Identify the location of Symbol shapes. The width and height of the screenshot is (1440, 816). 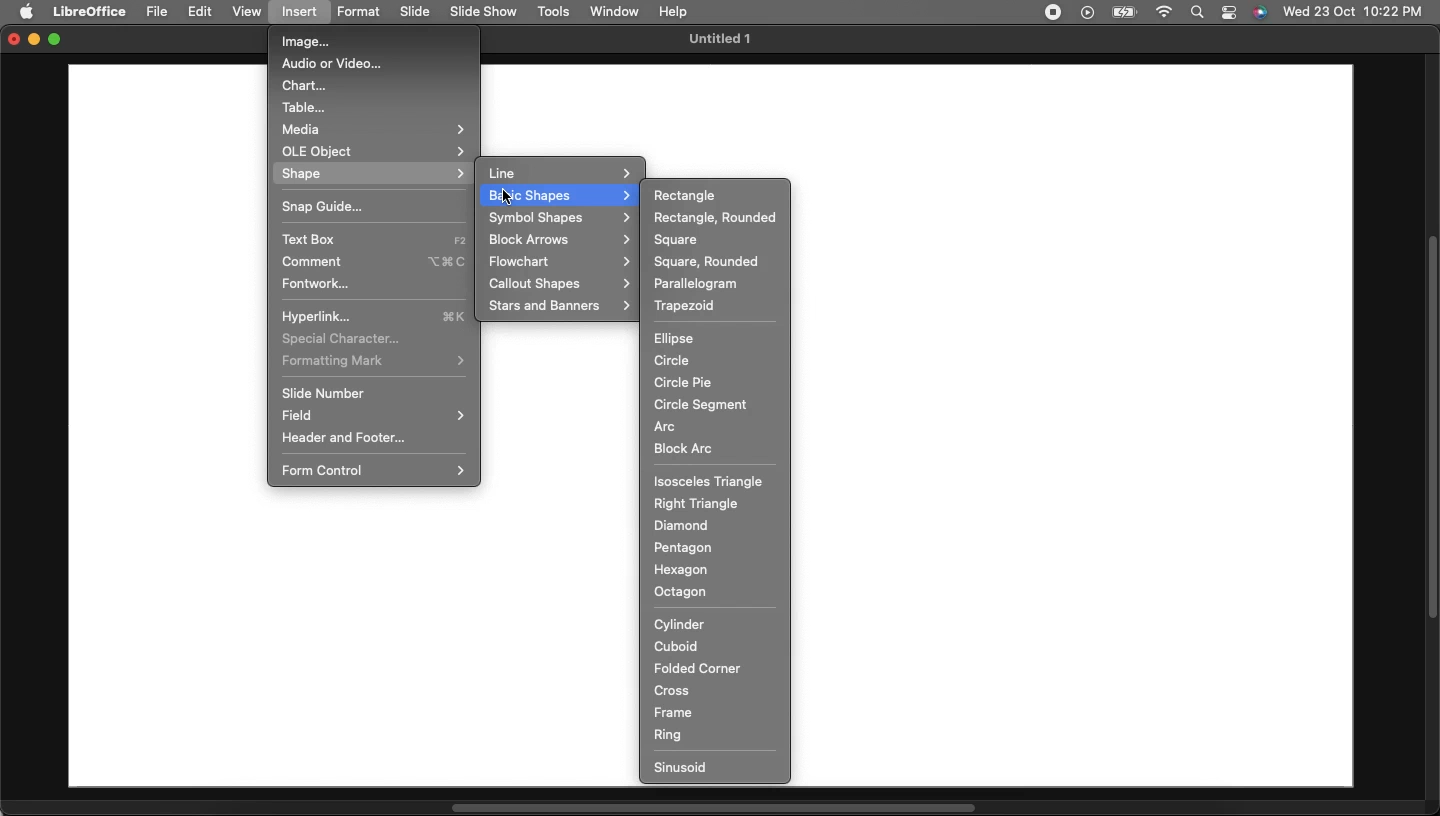
(560, 217).